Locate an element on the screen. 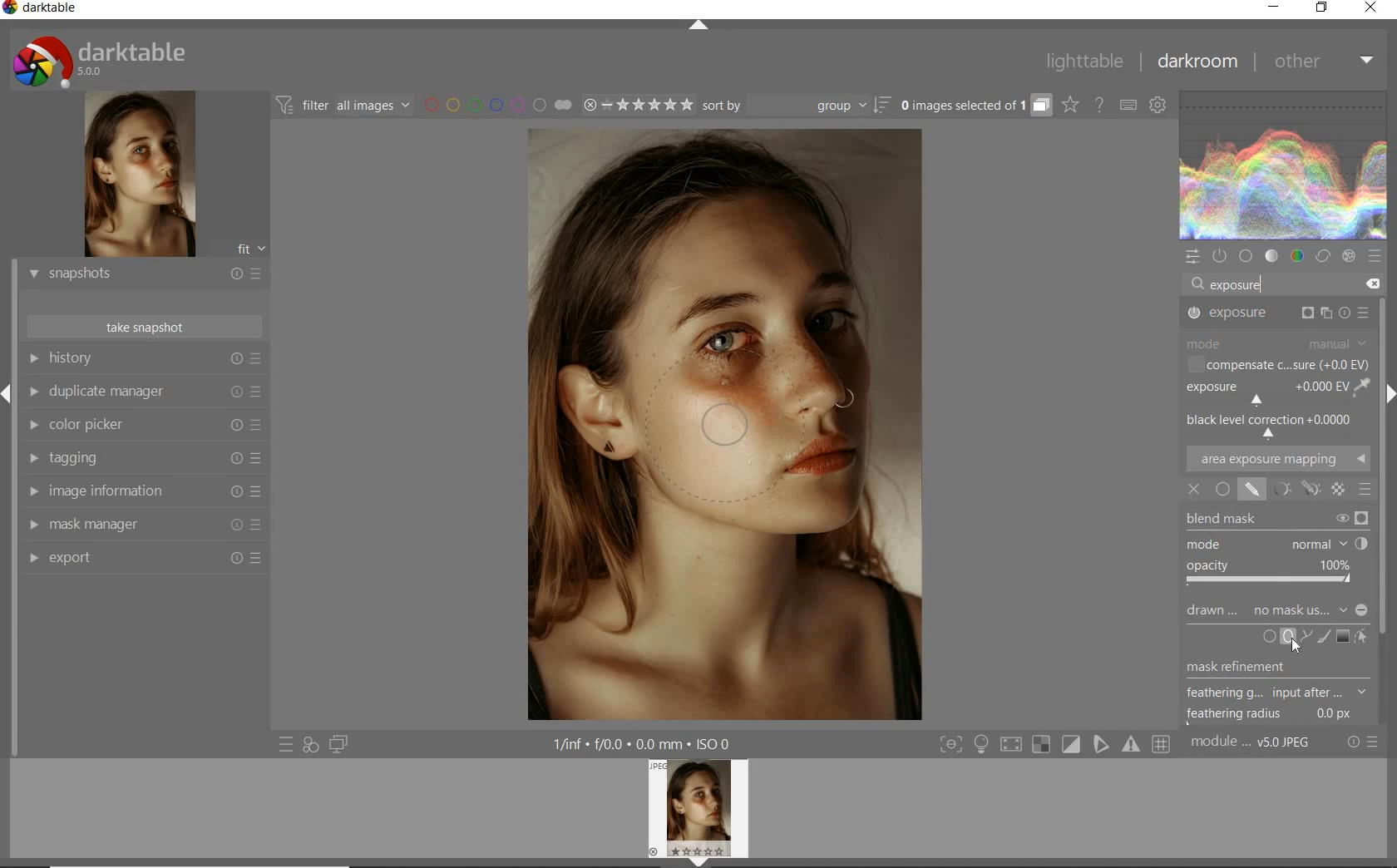 Image resolution: width=1397 pixels, height=868 pixels. color picker is located at coordinates (143, 426).